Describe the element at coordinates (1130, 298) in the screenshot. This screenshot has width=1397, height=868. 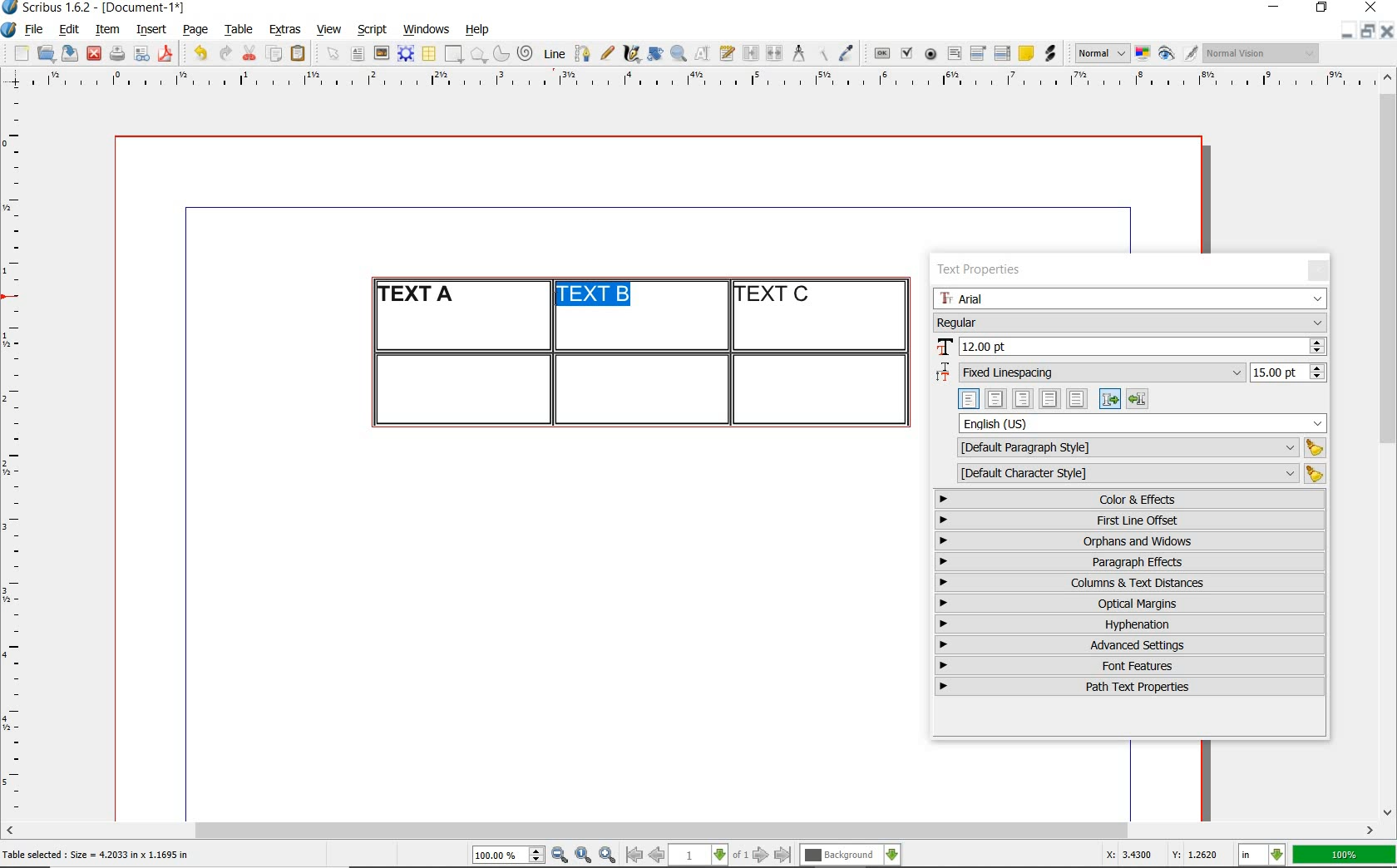
I see `font family` at that location.